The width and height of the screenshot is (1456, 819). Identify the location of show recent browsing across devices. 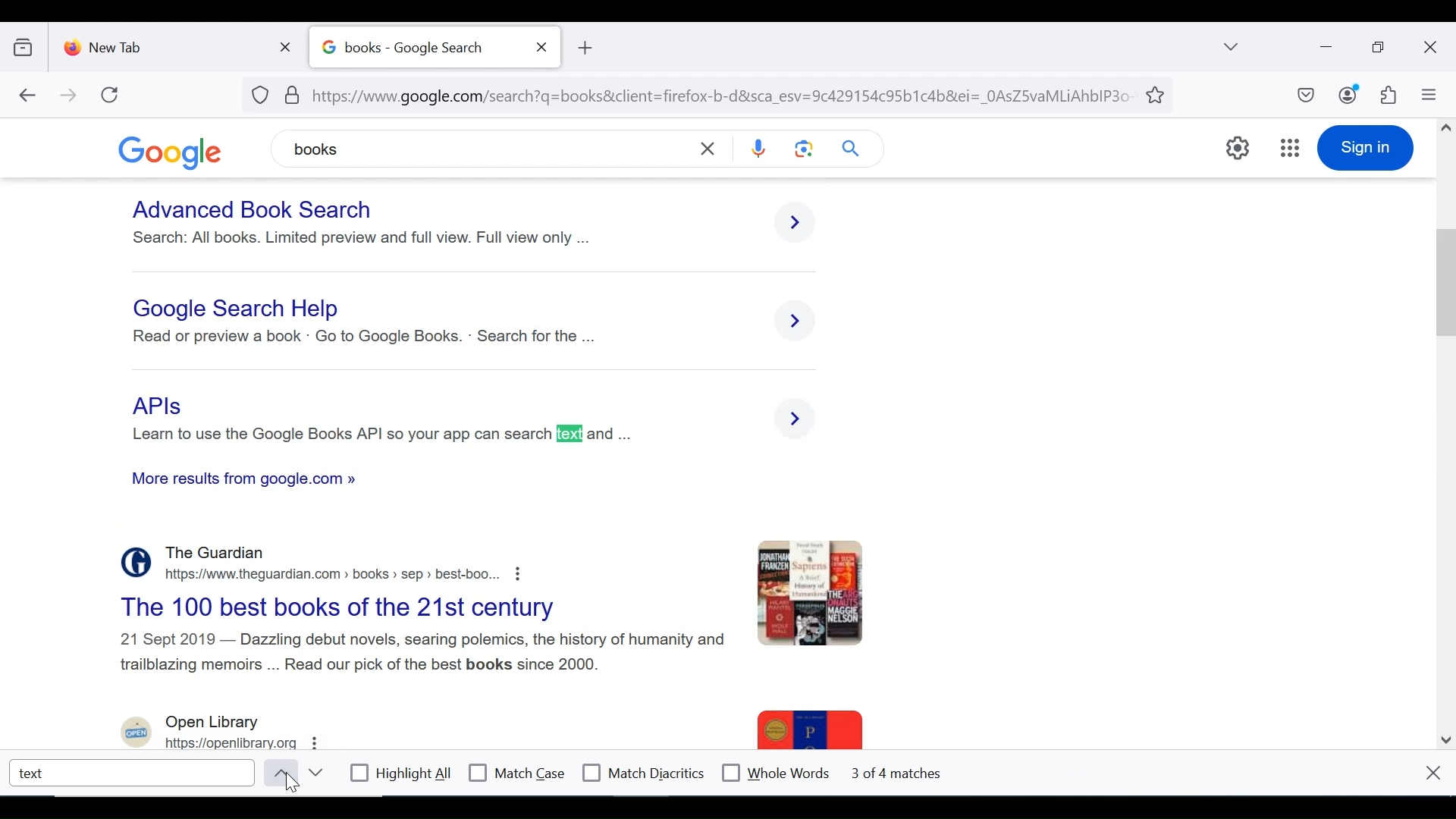
(27, 45).